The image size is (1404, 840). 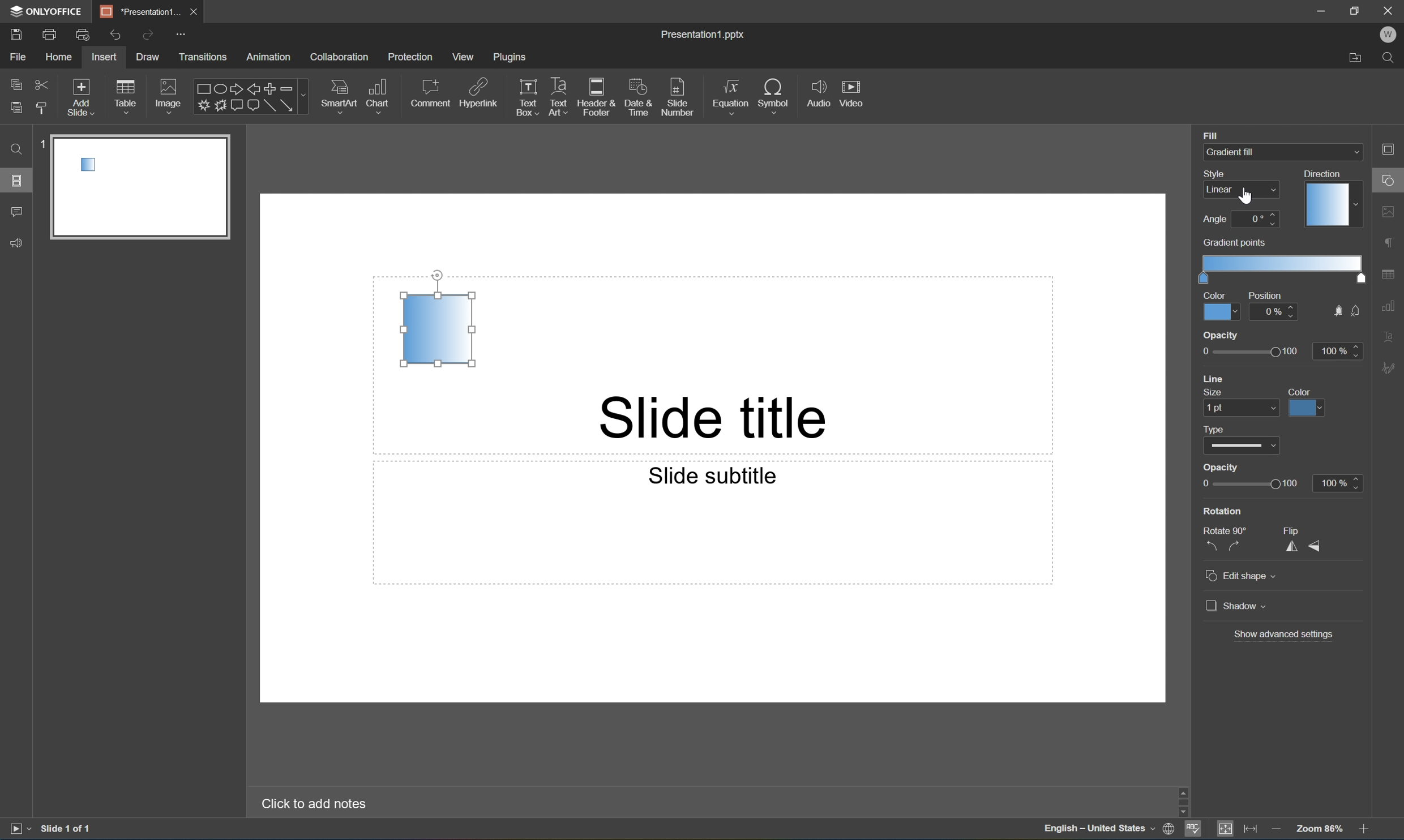 What do you see at coordinates (1367, 829) in the screenshot?
I see `Zoom in` at bounding box center [1367, 829].